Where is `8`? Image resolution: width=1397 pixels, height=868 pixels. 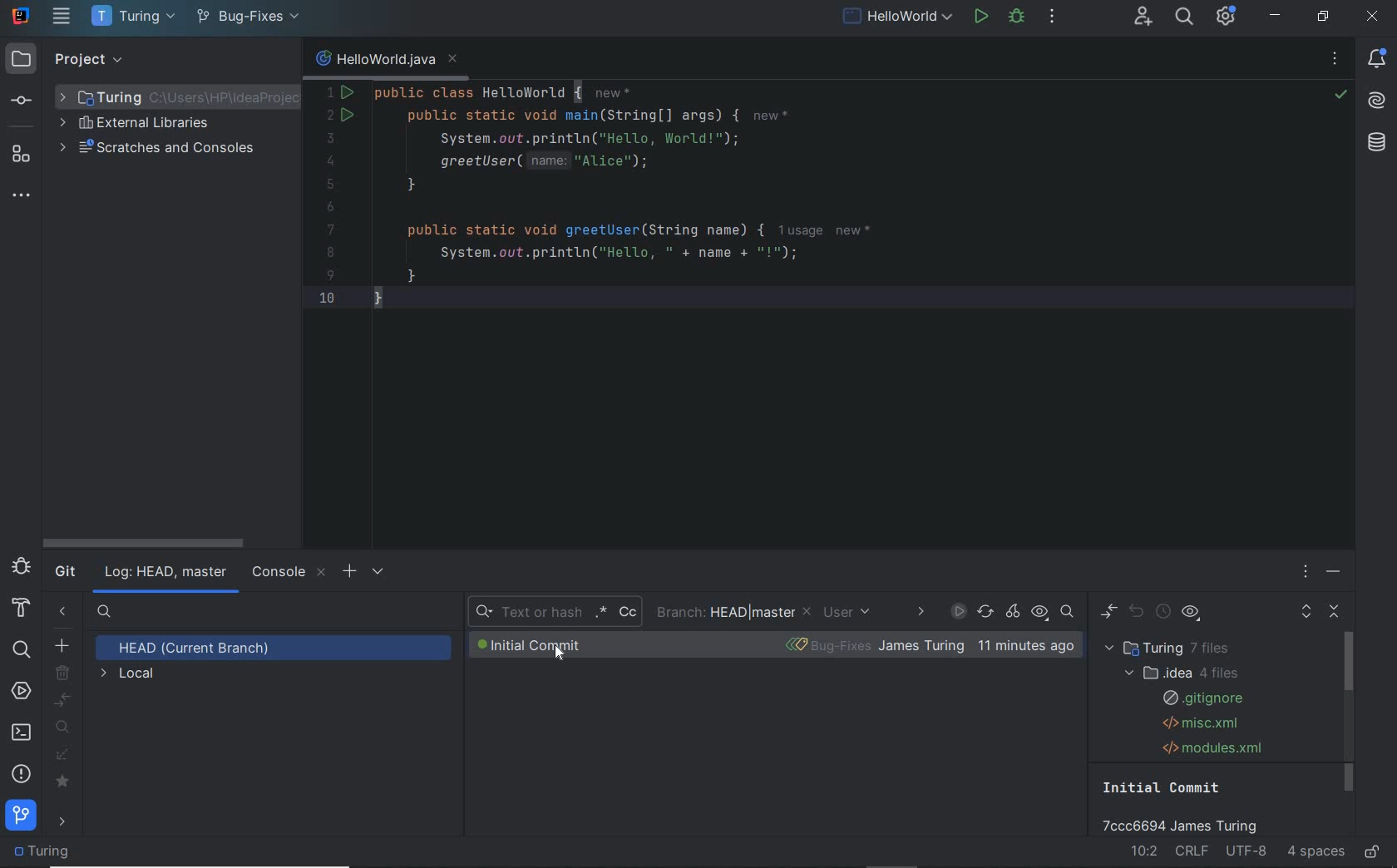
8 is located at coordinates (330, 253).